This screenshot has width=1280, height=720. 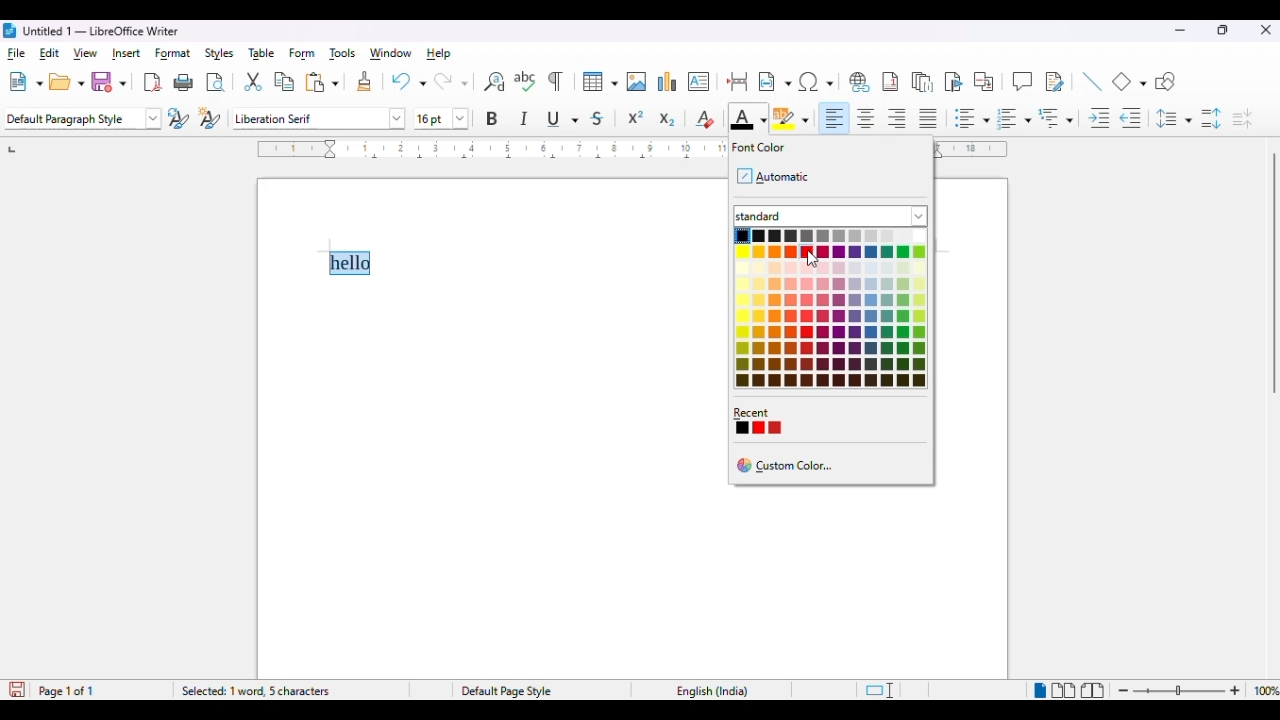 I want to click on insert field, so click(x=775, y=82).